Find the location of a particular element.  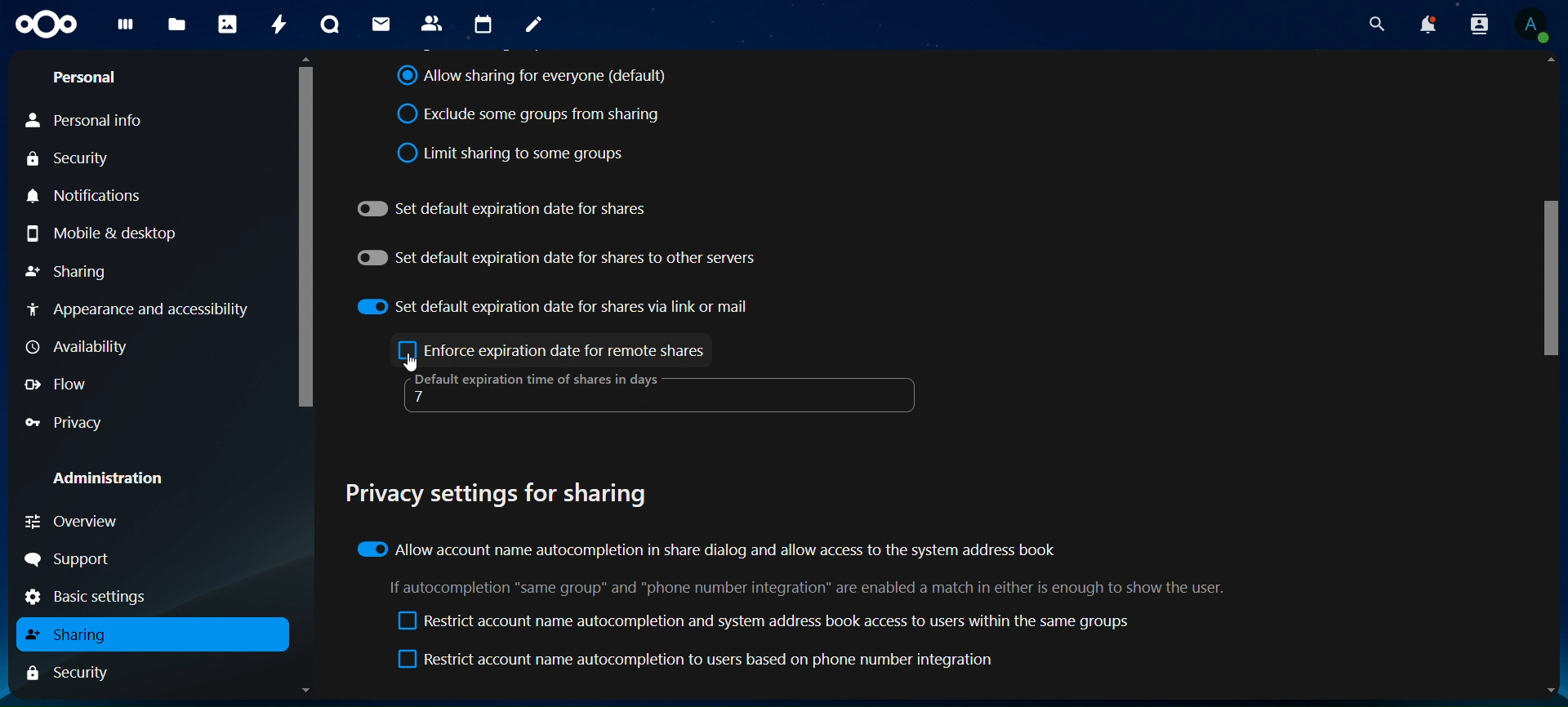

contacts is located at coordinates (431, 23).